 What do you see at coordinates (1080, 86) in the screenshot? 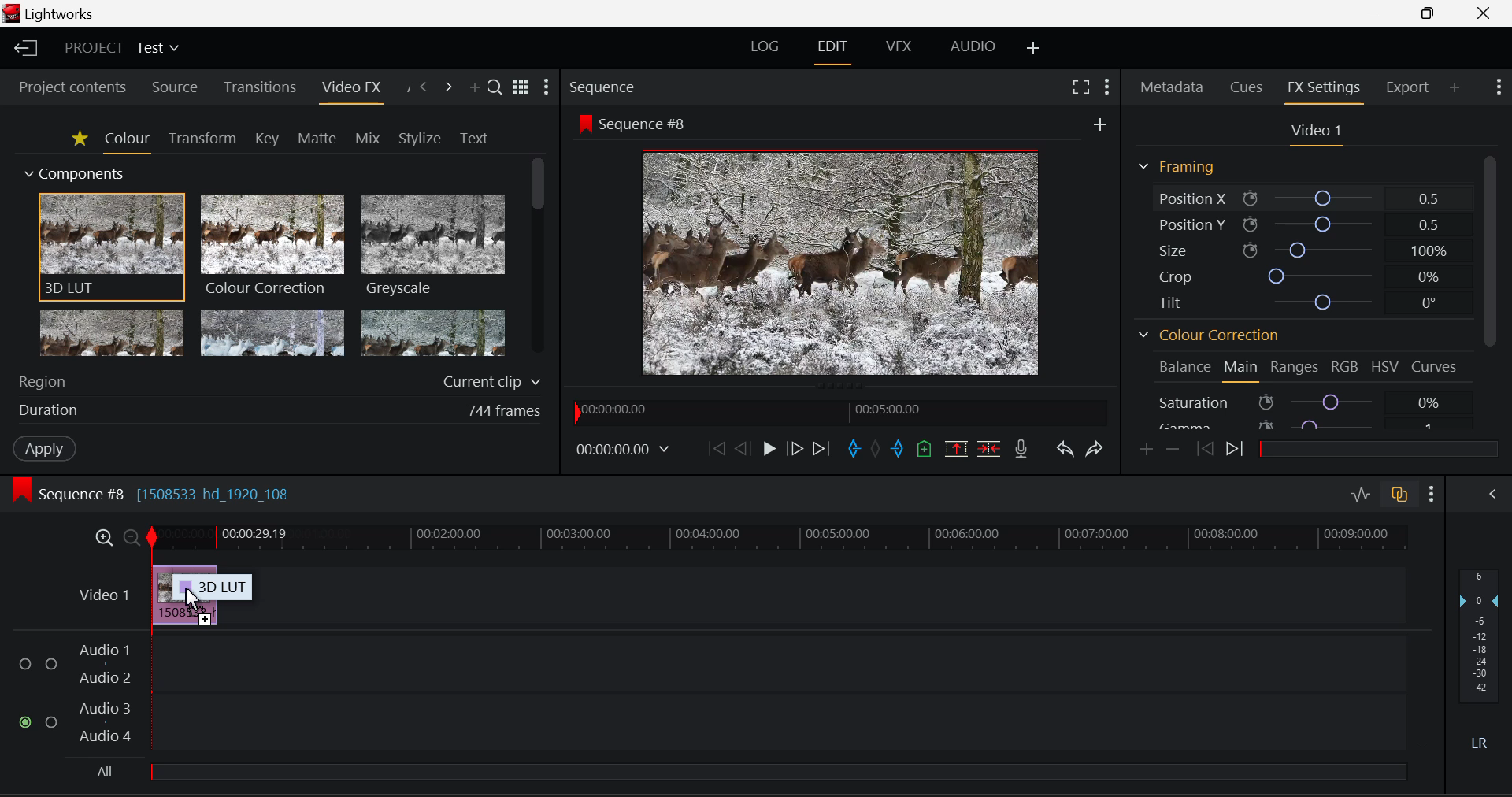
I see `Full Screen` at bounding box center [1080, 86].